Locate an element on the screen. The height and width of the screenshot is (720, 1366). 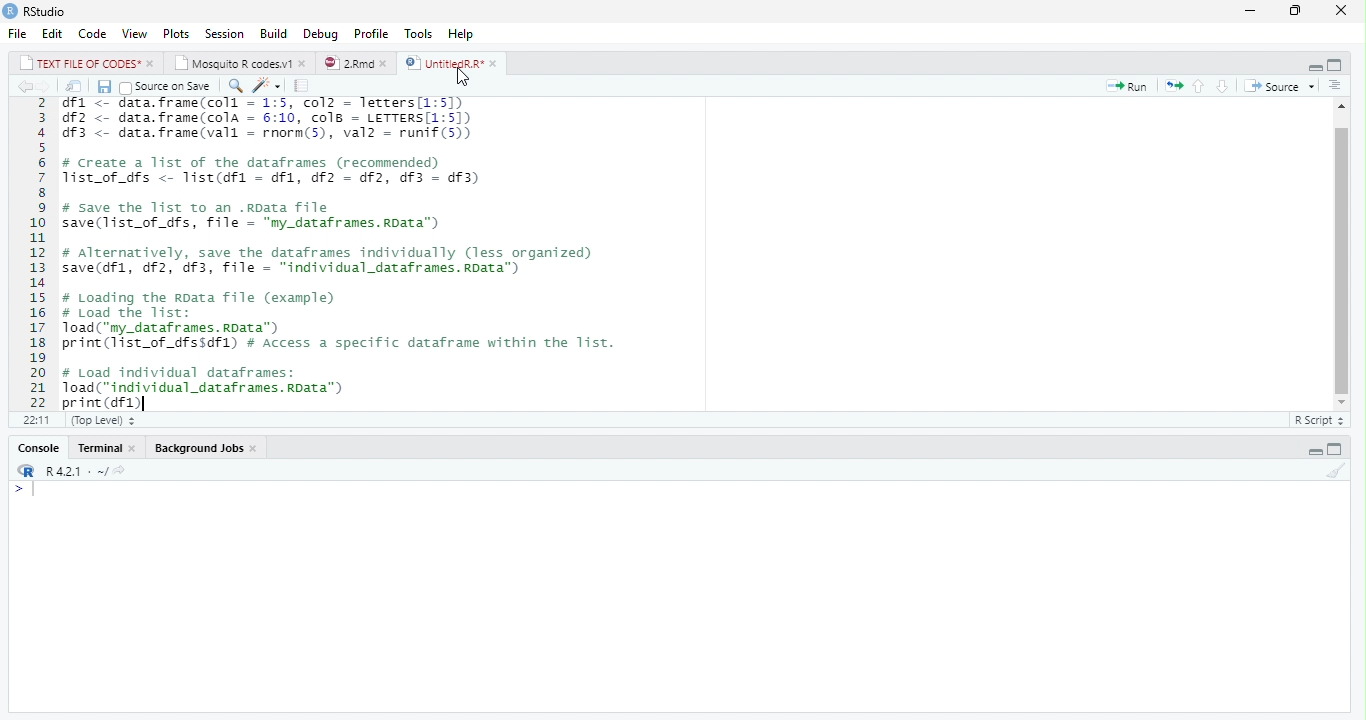
Plots is located at coordinates (176, 33).